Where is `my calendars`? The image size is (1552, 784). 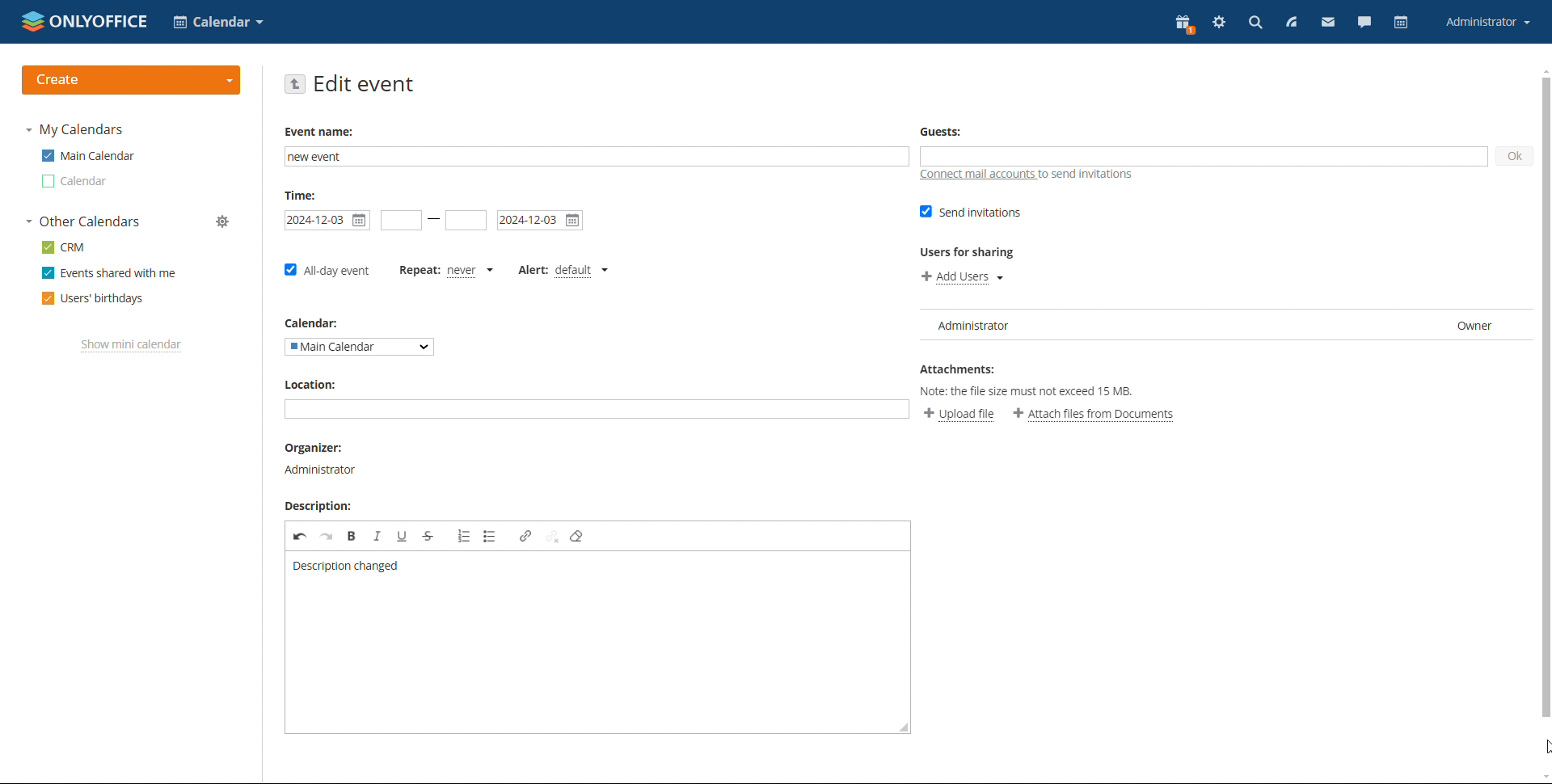 my calendars is located at coordinates (75, 130).